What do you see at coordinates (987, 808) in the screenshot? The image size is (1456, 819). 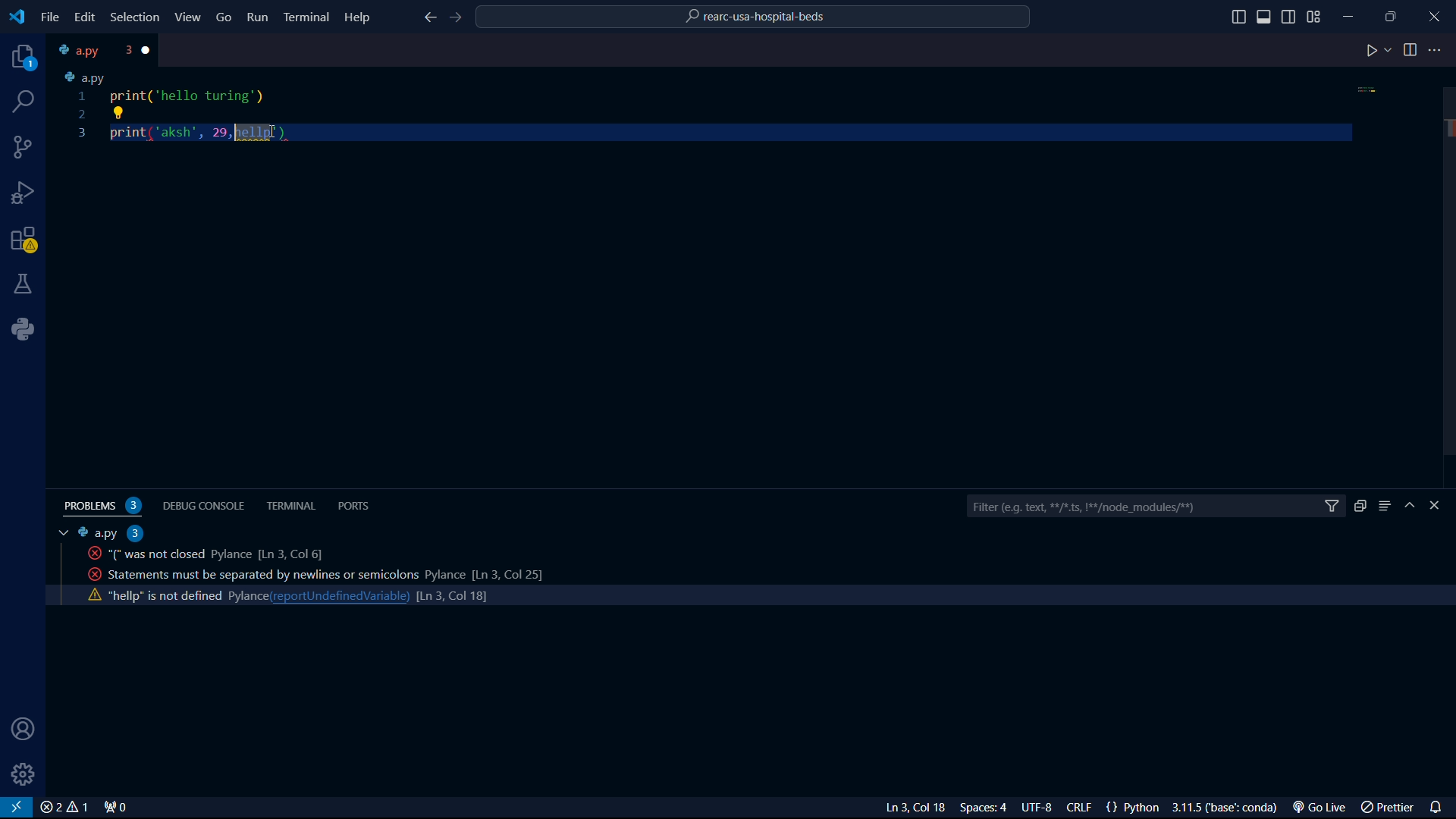 I see `Spaces: 4` at bounding box center [987, 808].